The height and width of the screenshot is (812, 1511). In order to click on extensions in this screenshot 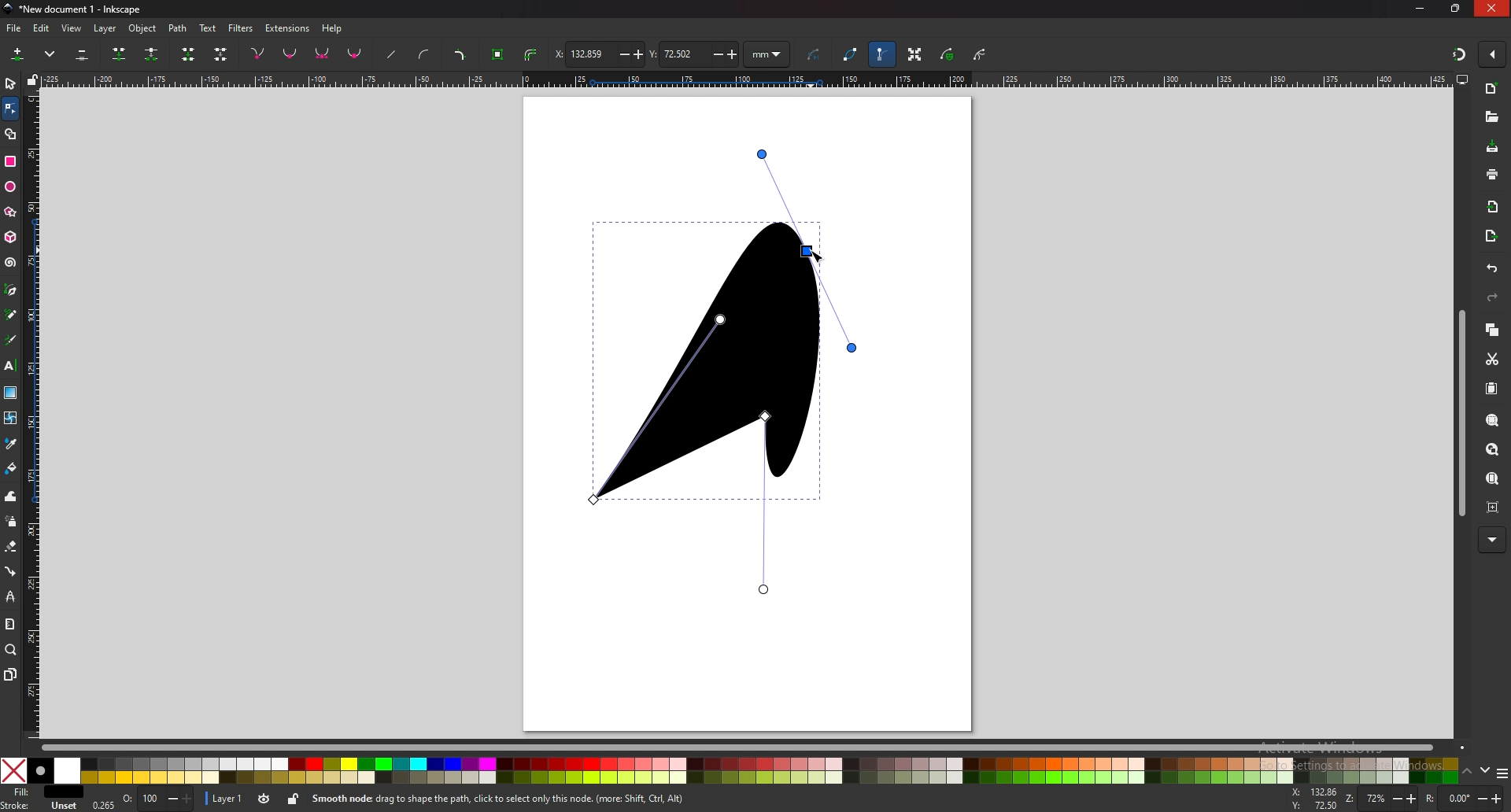, I will do `click(288, 29)`.